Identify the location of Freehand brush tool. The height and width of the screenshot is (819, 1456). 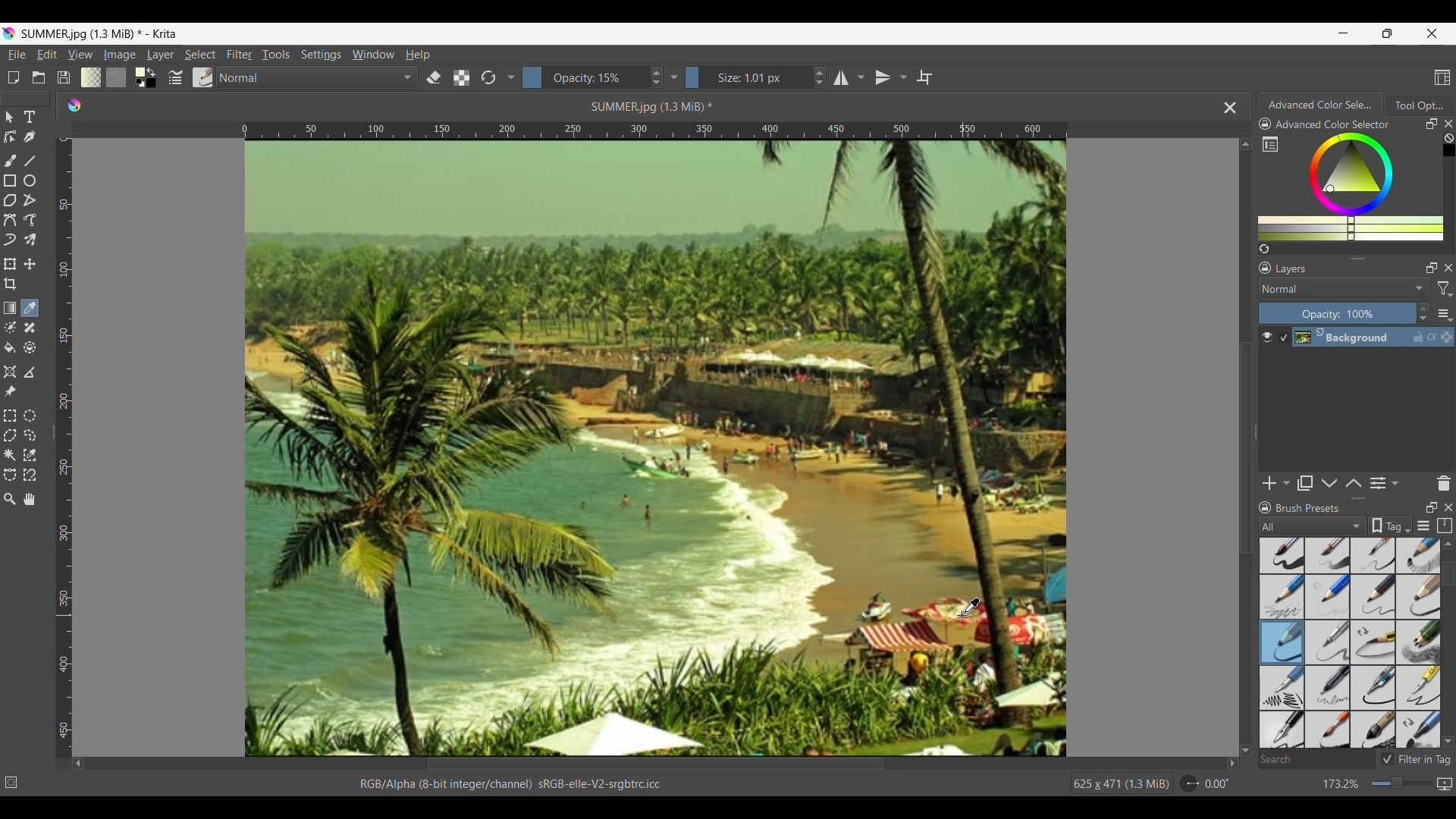
(11, 162).